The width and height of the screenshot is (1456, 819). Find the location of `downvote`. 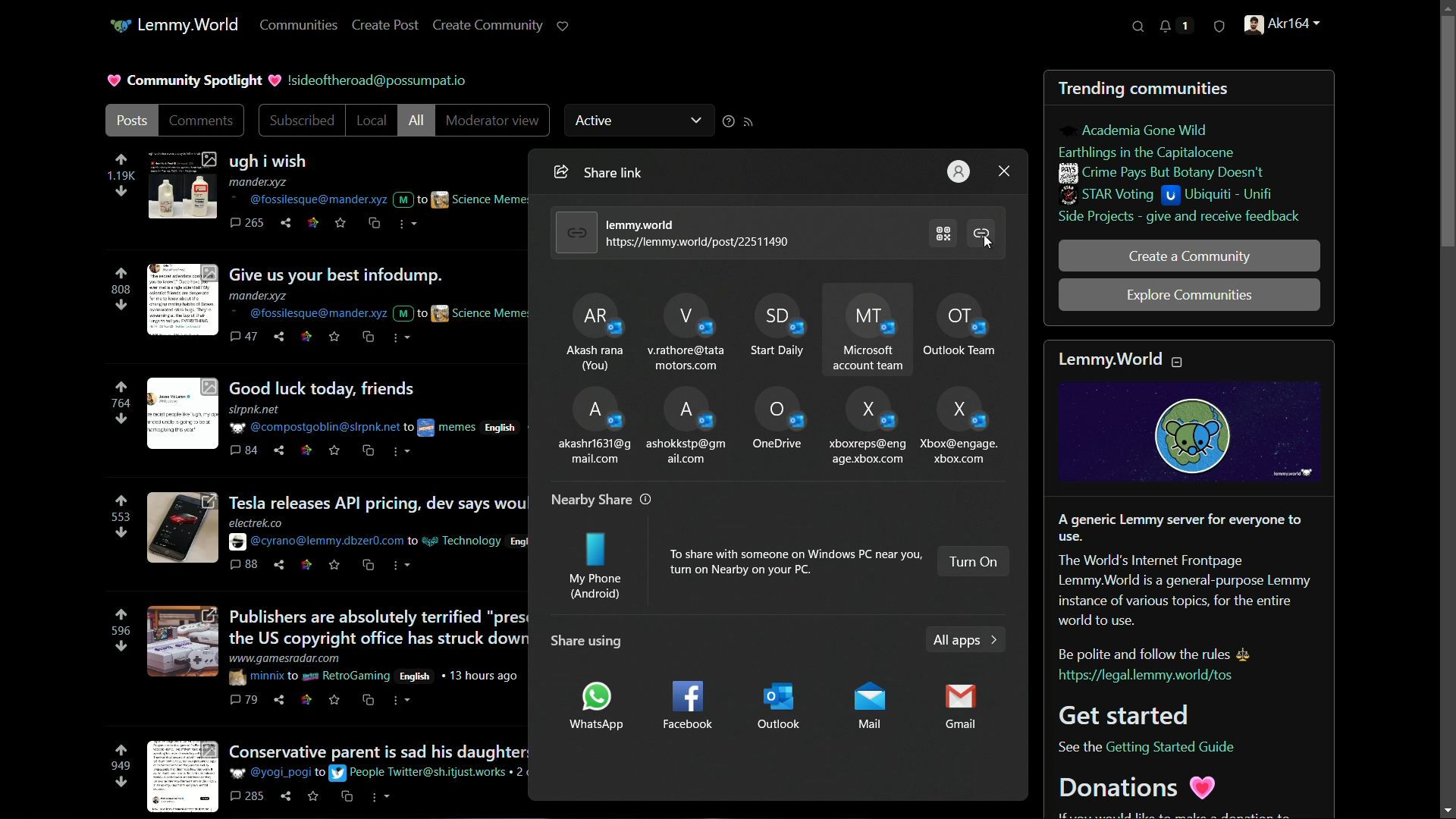

downvote is located at coordinates (121, 304).